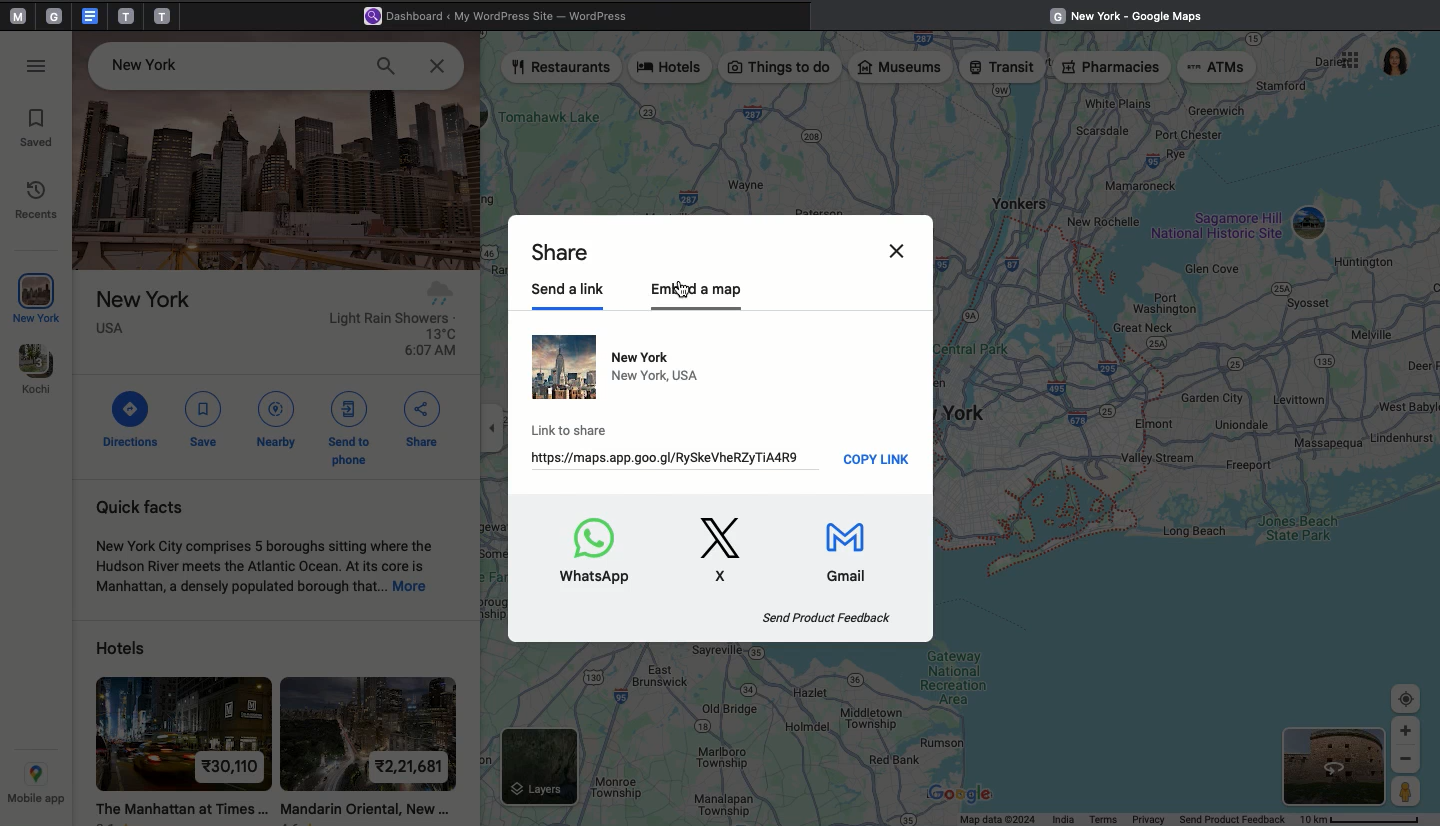  What do you see at coordinates (278, 328) in the screenshot?
I see `Place` at bounding box center [278, 328].